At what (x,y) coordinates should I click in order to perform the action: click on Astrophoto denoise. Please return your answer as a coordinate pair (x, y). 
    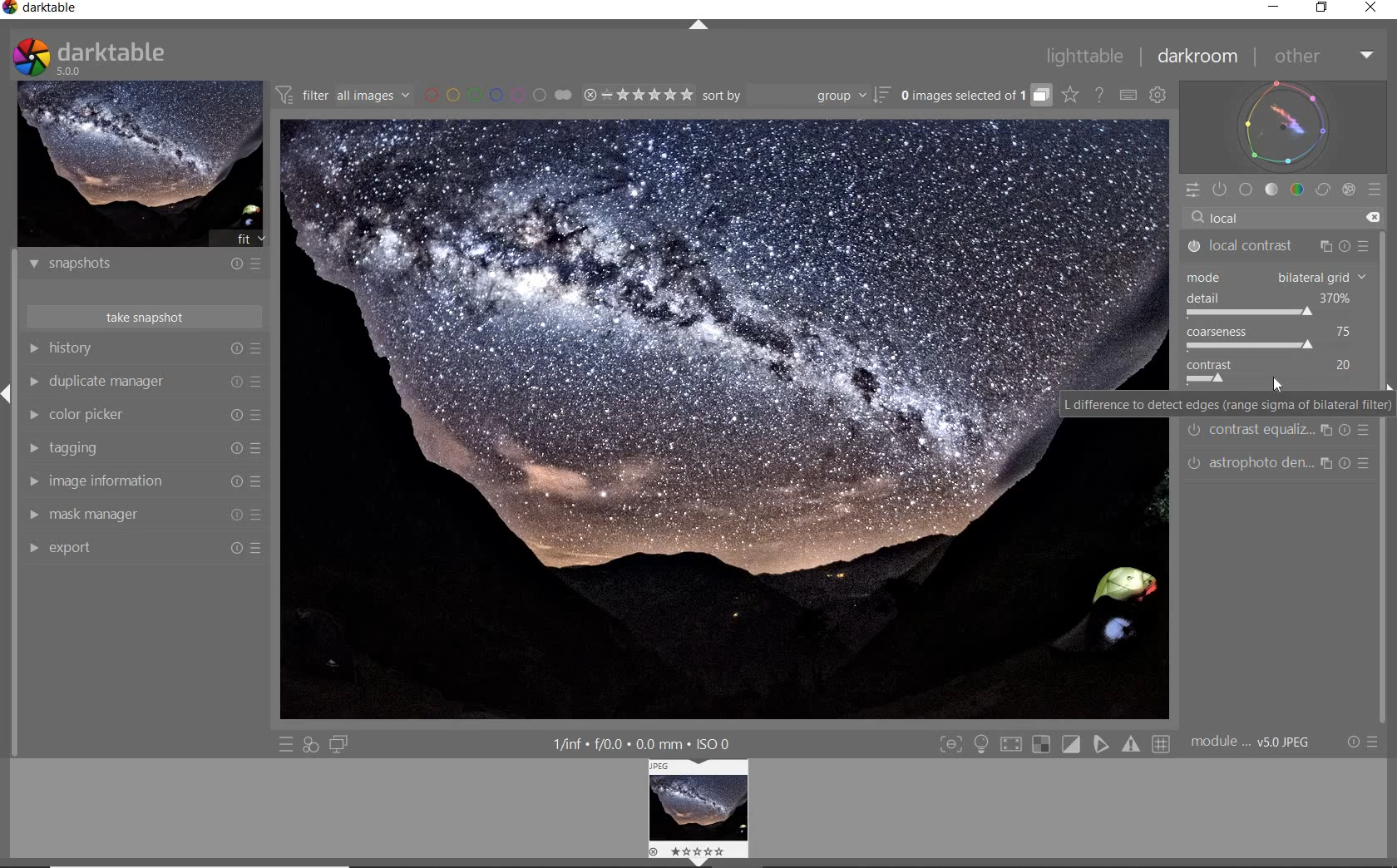
    Looking at the image, I should click on (1260, 463).